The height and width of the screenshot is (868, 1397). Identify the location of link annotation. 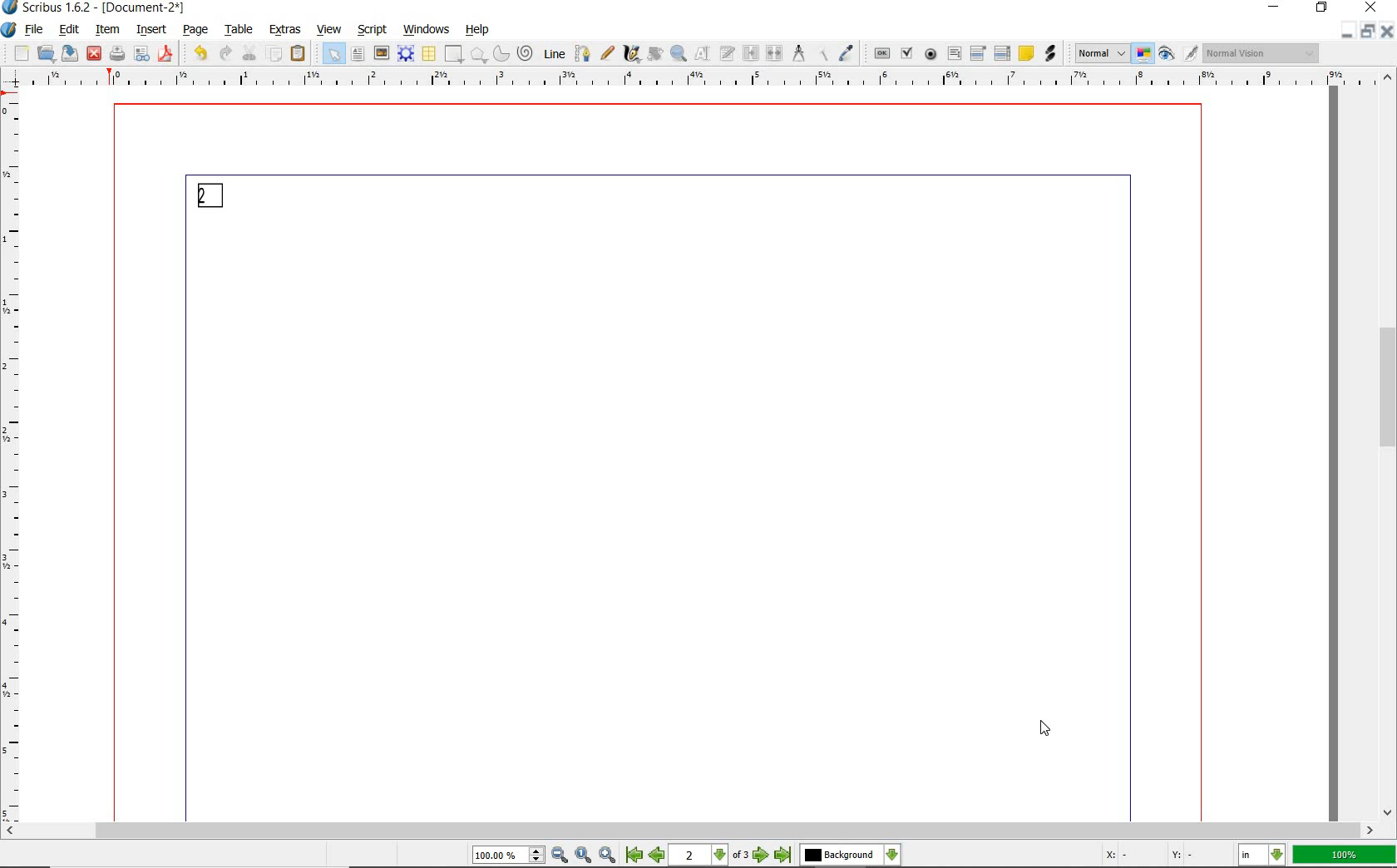
(1051, 54).